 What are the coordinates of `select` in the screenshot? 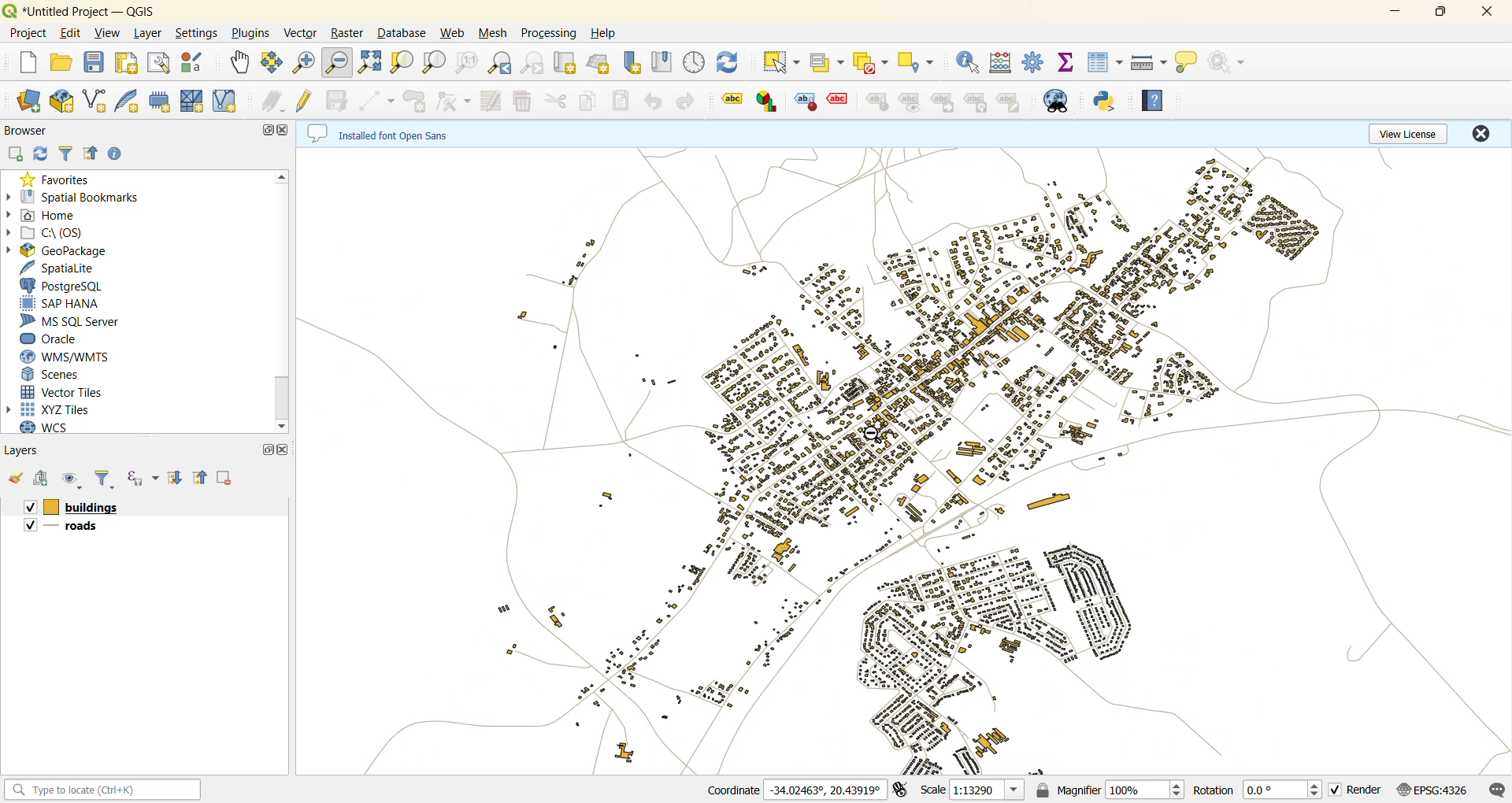 It's located at (780, 61).